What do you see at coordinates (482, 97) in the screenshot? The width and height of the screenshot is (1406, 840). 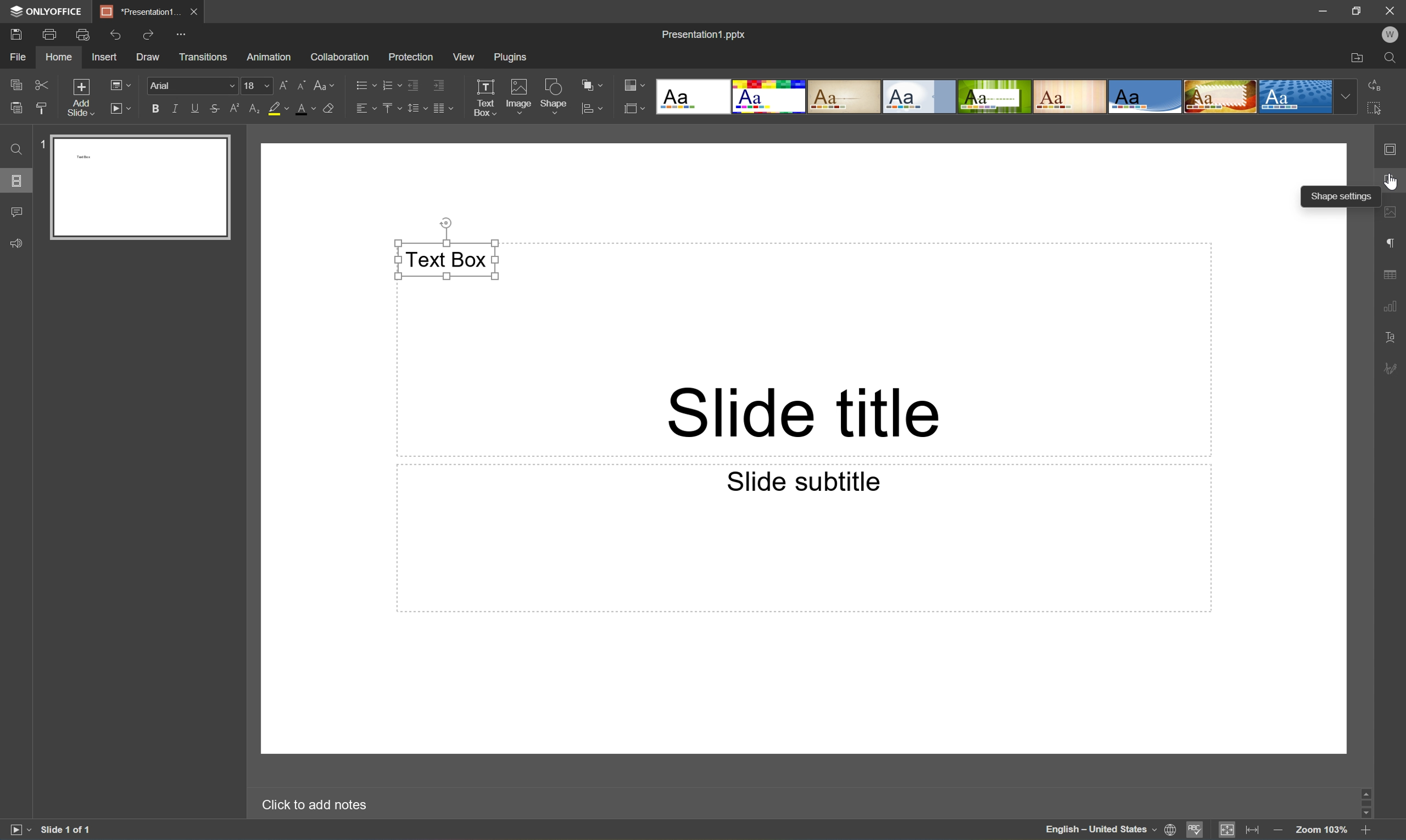 I see `Text Box` at bounding box center [482, 97].